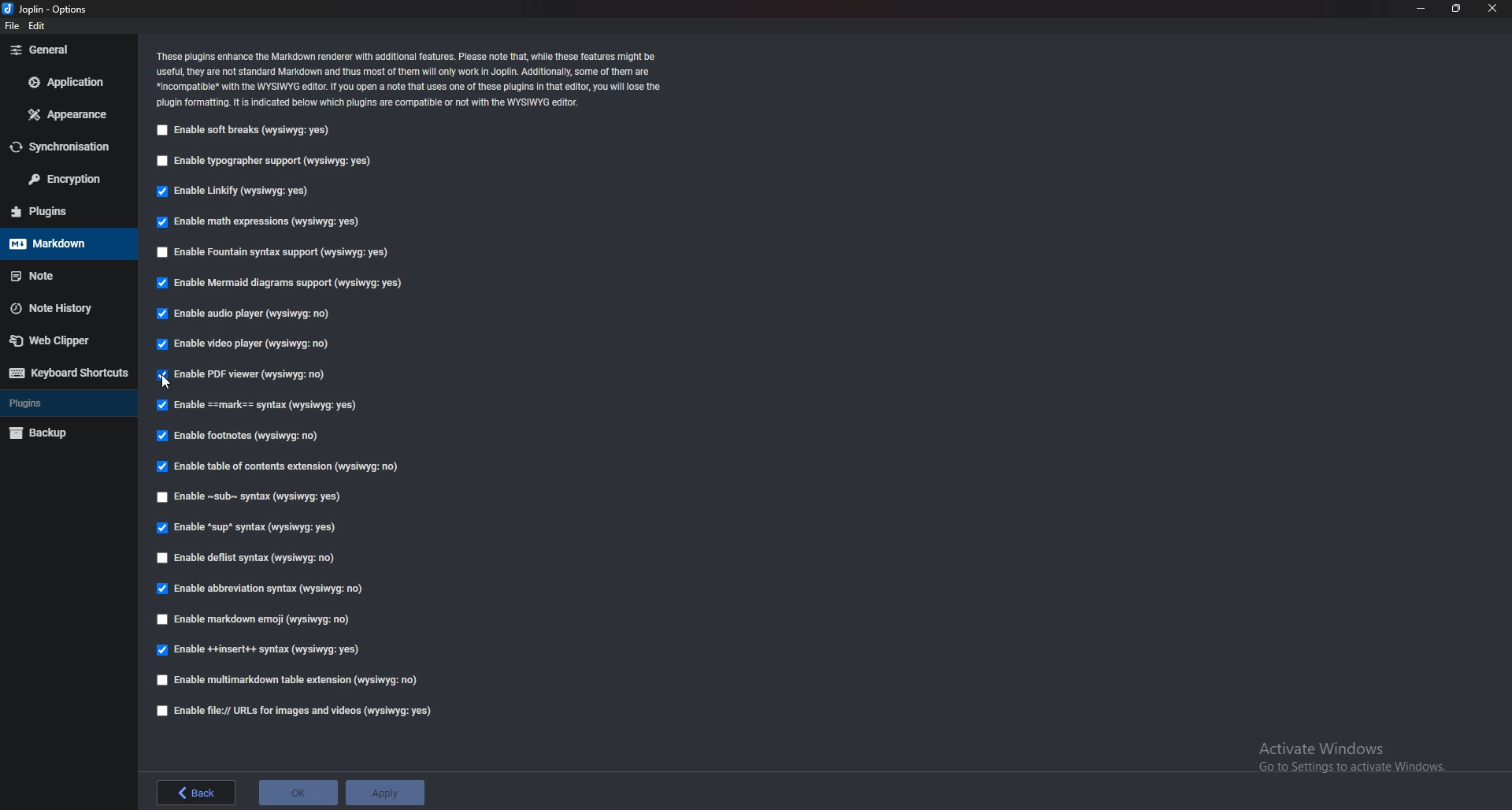 The height and width of the screenshot is (810, 1512). What do you see at coordinates (241, 191) in the screenshot?
I see `Enable Linkify` at bounding box center [241, 191].